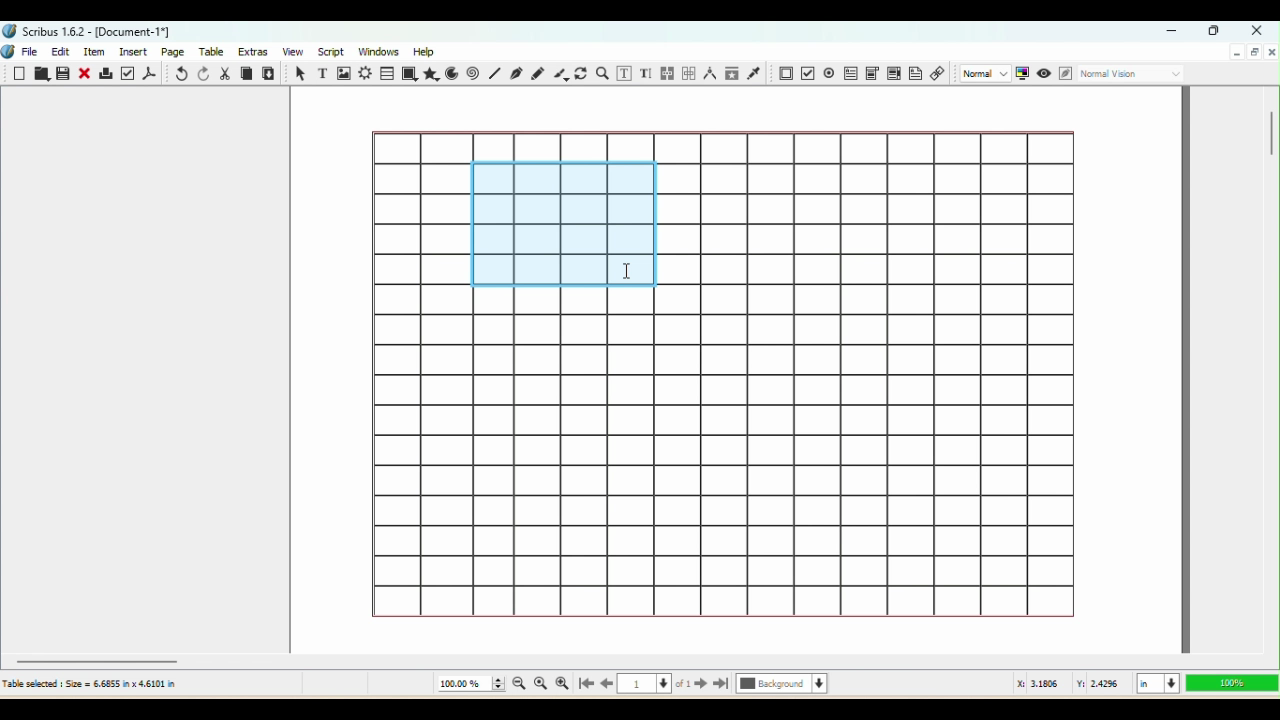 Image resolution: width=1280 pixels, height=720 pixels. What do you see at coordinates (581, 74) in the screenshot?
I see `Rotate item` at bounding box center [581, 74].